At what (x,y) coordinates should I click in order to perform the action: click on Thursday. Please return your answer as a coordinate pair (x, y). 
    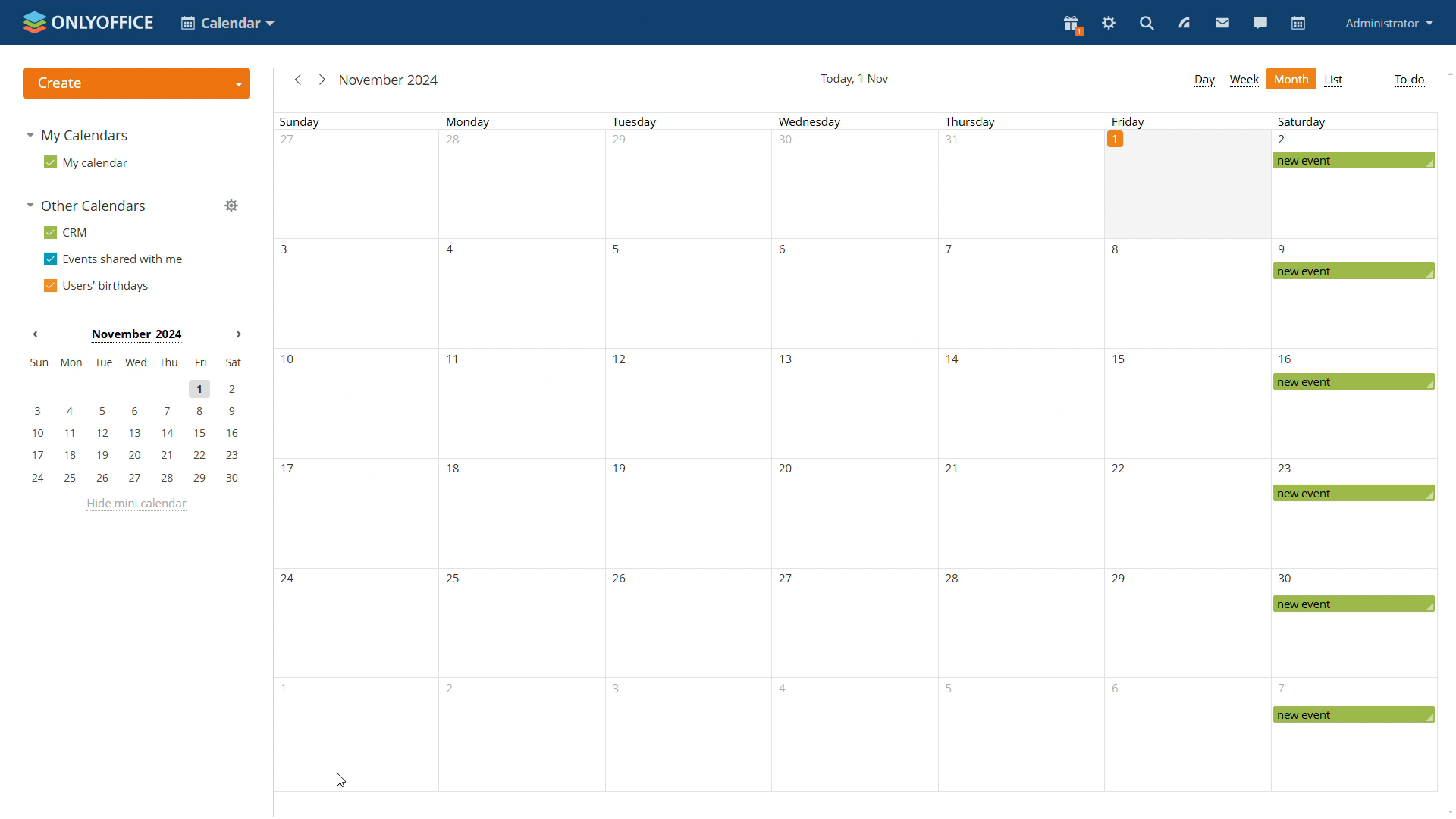
    Looking at the image, I should click on (1021, 452).